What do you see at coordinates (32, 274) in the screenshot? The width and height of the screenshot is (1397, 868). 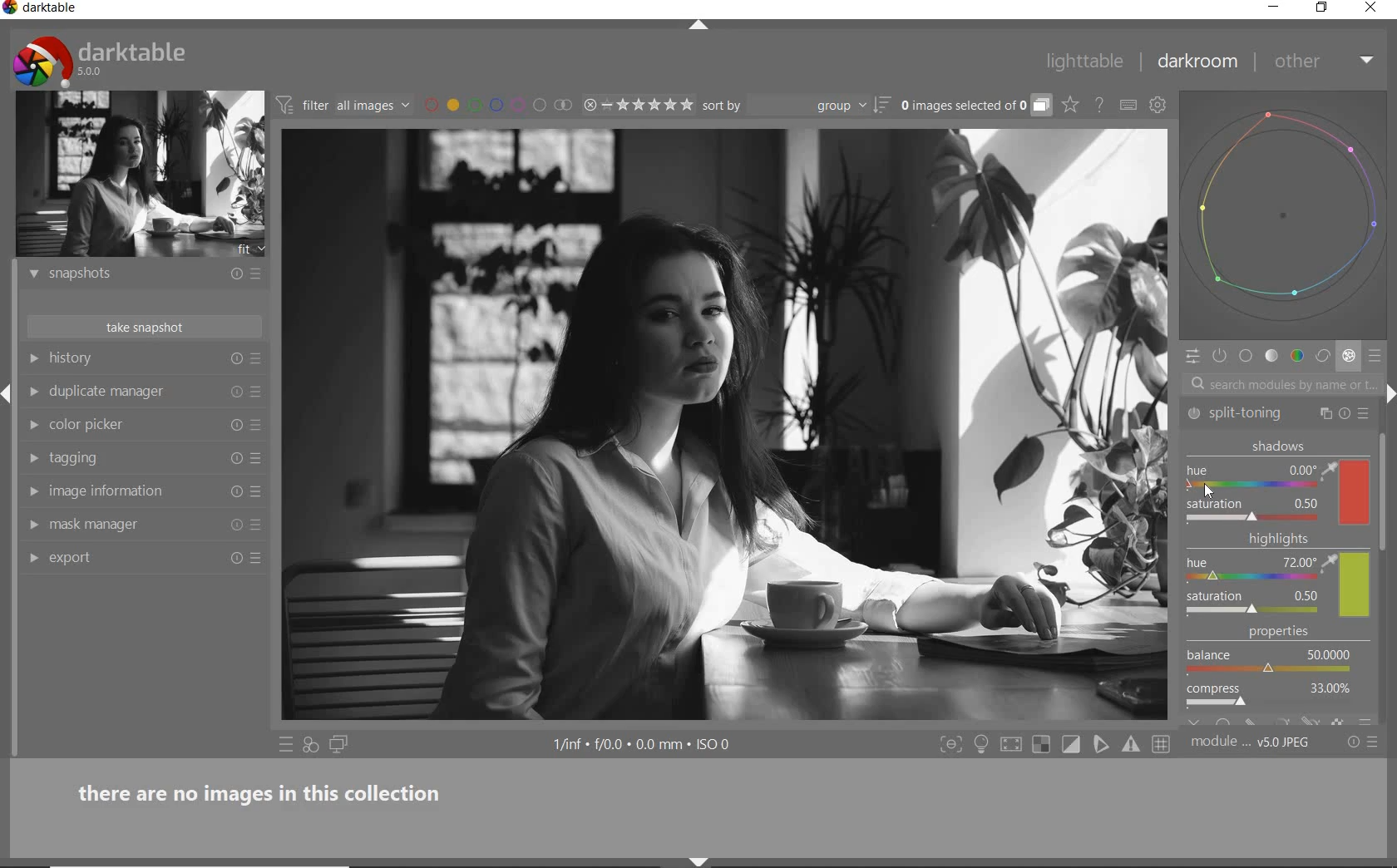 I see `show module` at bounding box center [32, 274].